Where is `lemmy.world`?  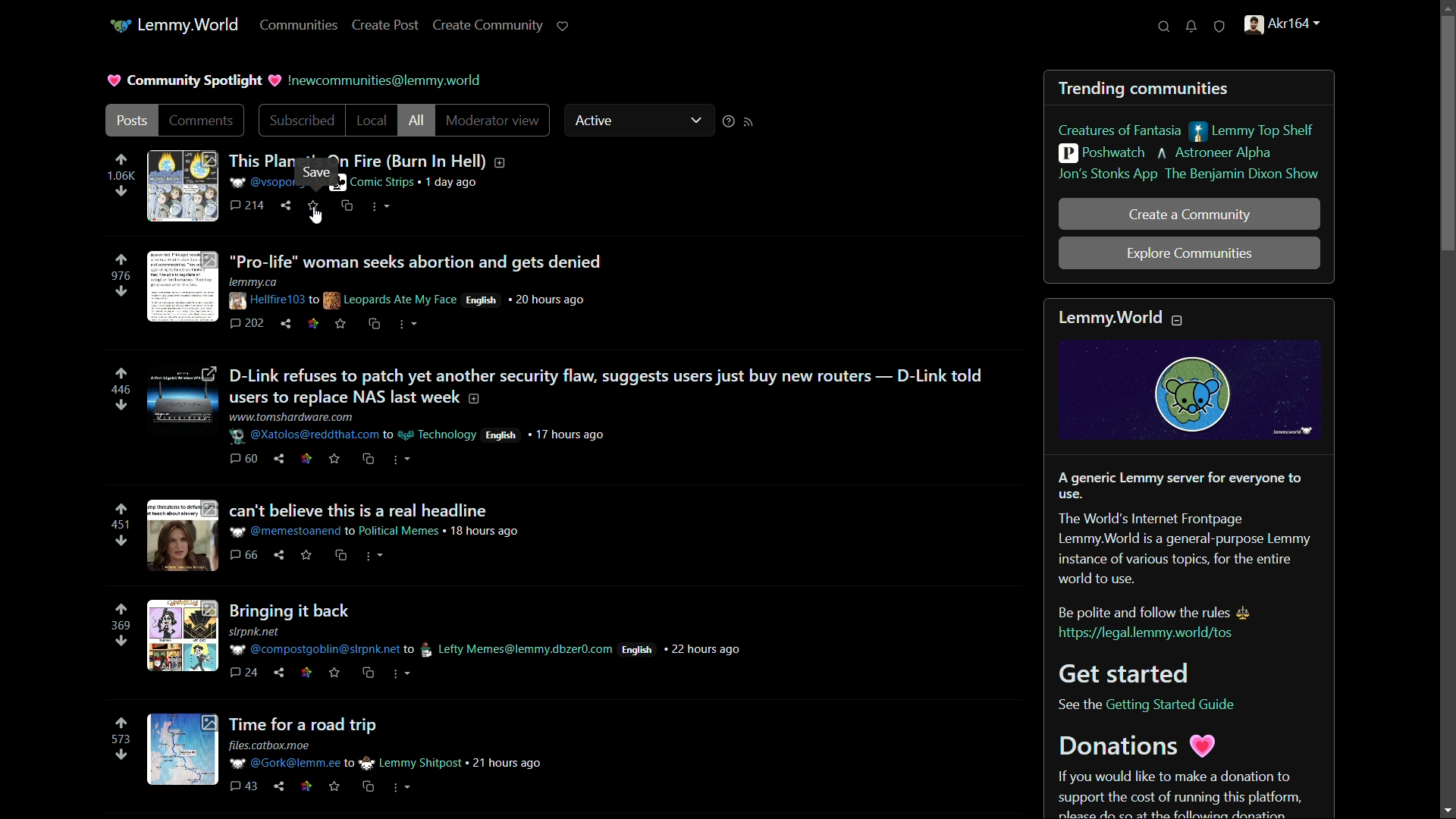
lemmy.world is located at coordinates (187, 26).